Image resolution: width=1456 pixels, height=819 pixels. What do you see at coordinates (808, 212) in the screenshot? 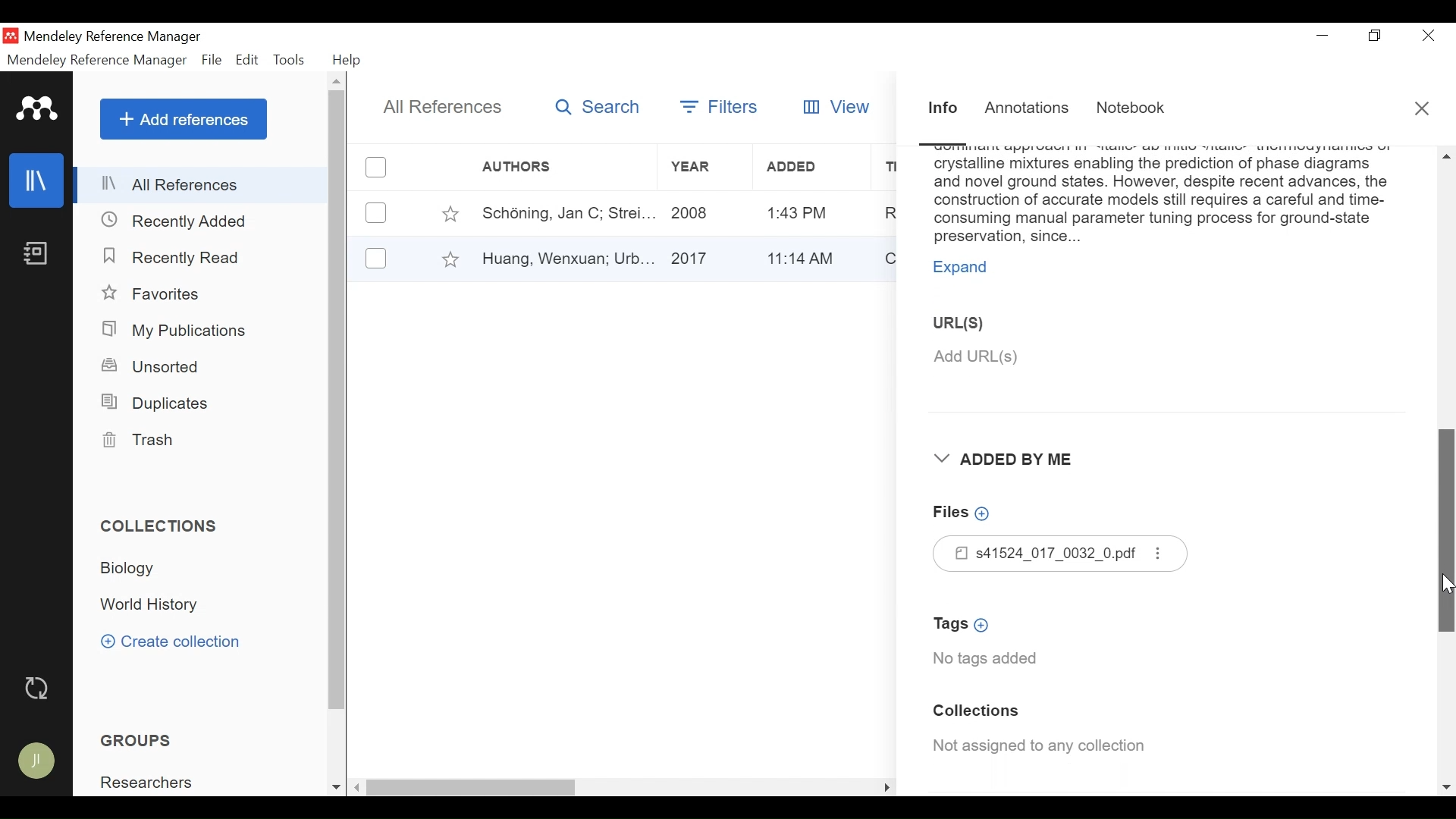
I see `Added` at bounding box center [808, 212].